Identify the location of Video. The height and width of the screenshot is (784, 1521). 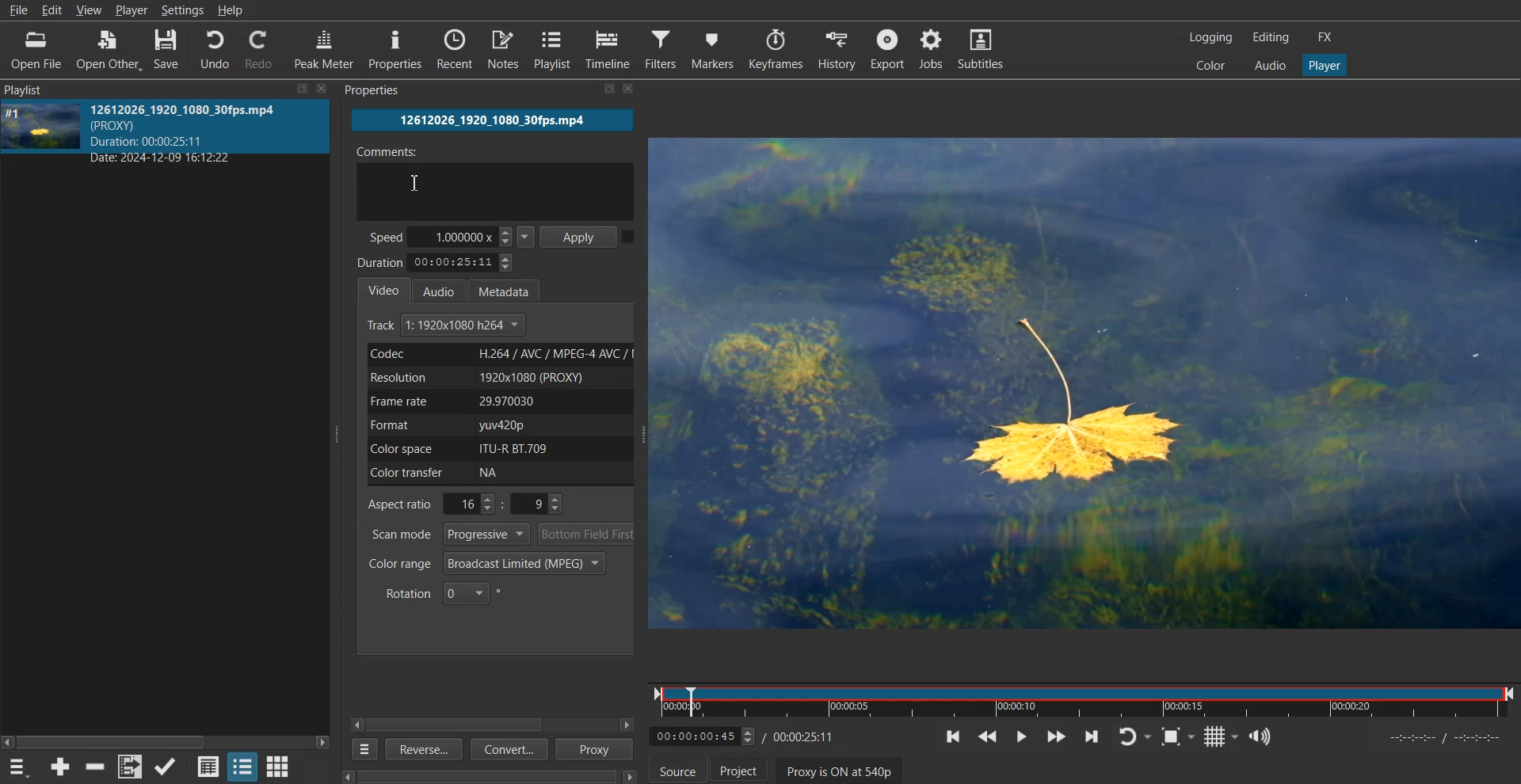
(384, 289).